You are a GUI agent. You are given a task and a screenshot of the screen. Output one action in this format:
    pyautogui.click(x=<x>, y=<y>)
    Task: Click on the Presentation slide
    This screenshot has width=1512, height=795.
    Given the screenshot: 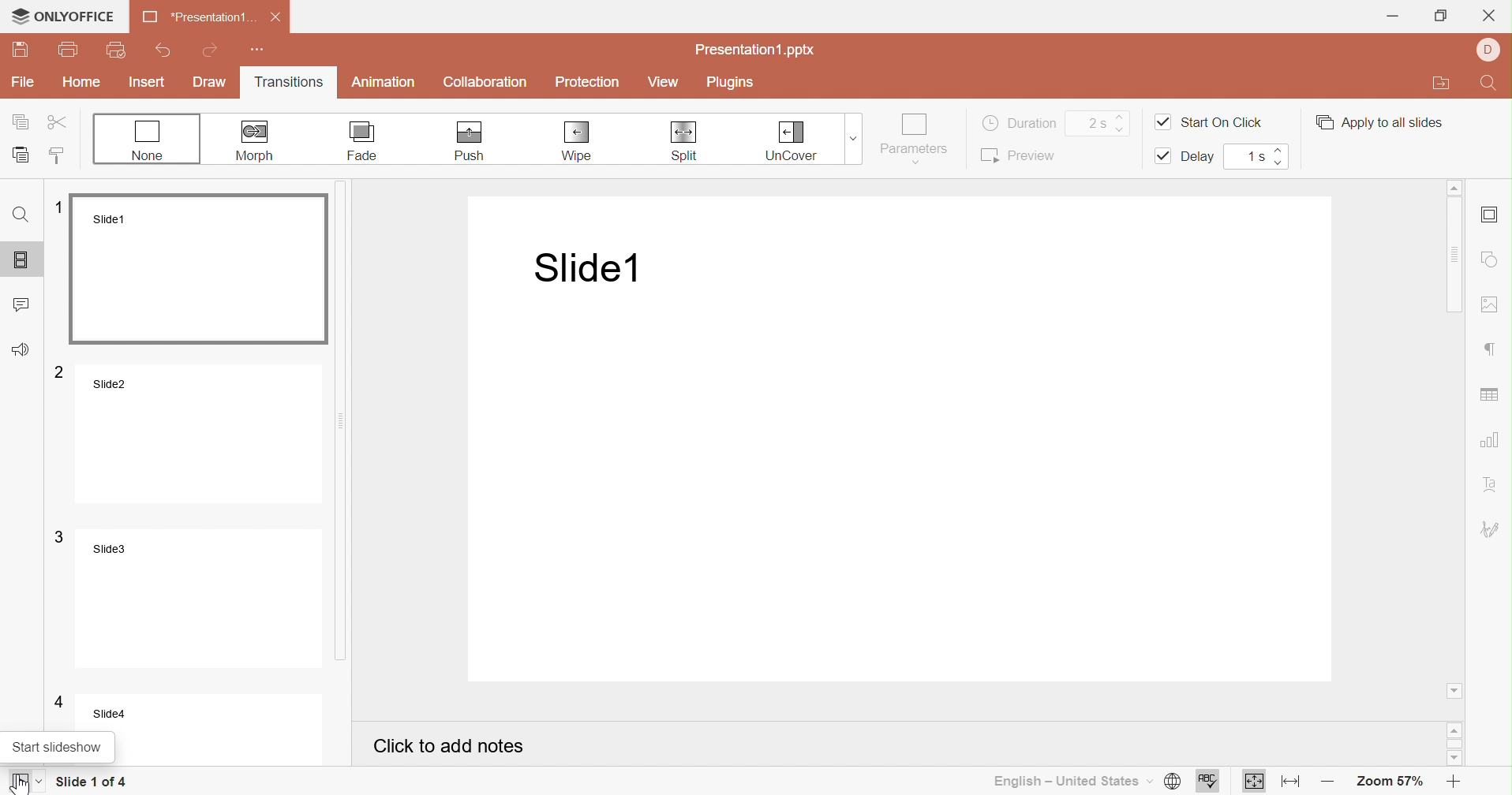 What is the action you would take?
    pyautogui.click(x=908, y=480)
    